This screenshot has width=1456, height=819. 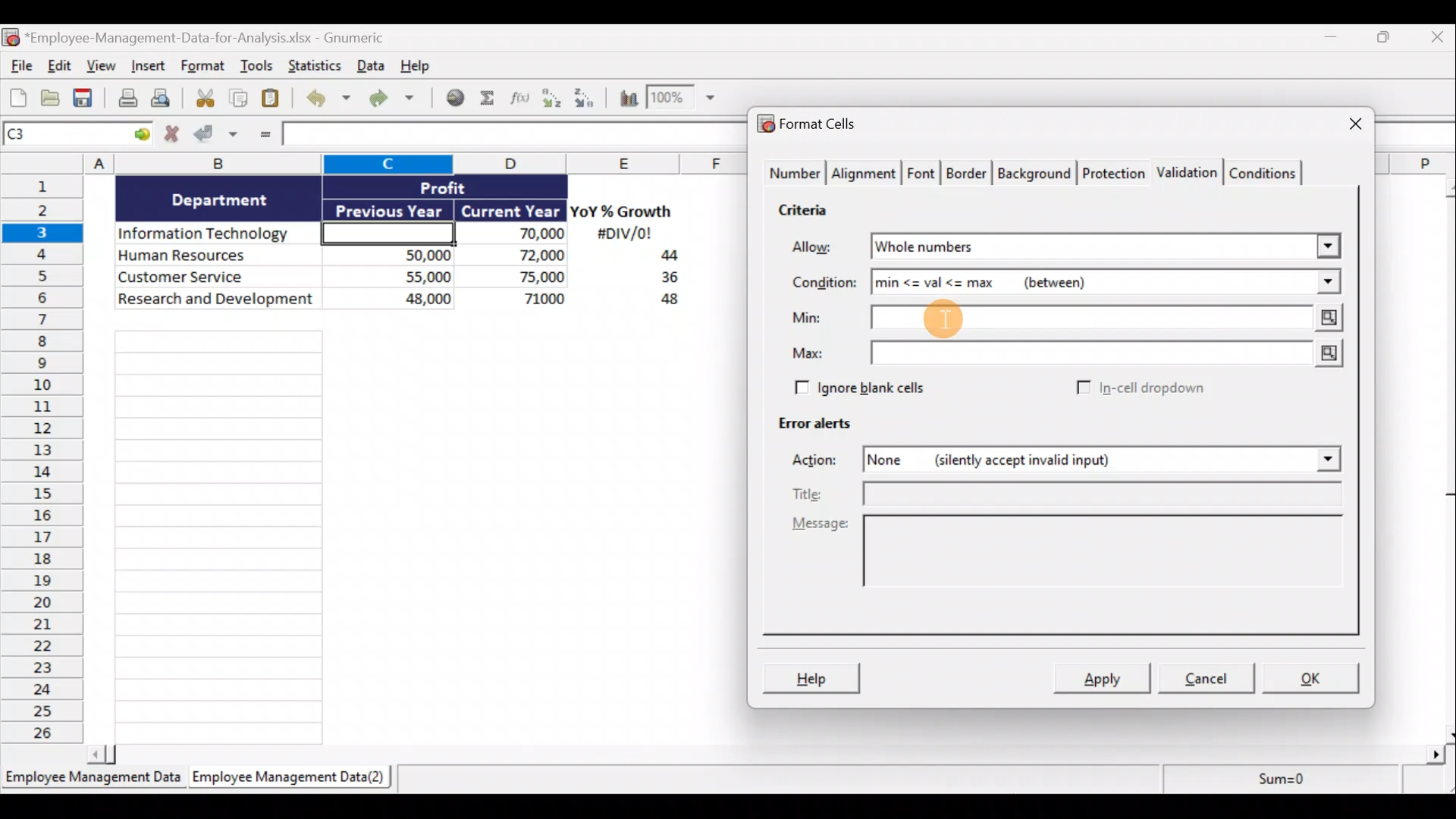 What do you see at coordinates (257, 67) in the screenshot?
I see `Tools` at bounding box center [257, 67].